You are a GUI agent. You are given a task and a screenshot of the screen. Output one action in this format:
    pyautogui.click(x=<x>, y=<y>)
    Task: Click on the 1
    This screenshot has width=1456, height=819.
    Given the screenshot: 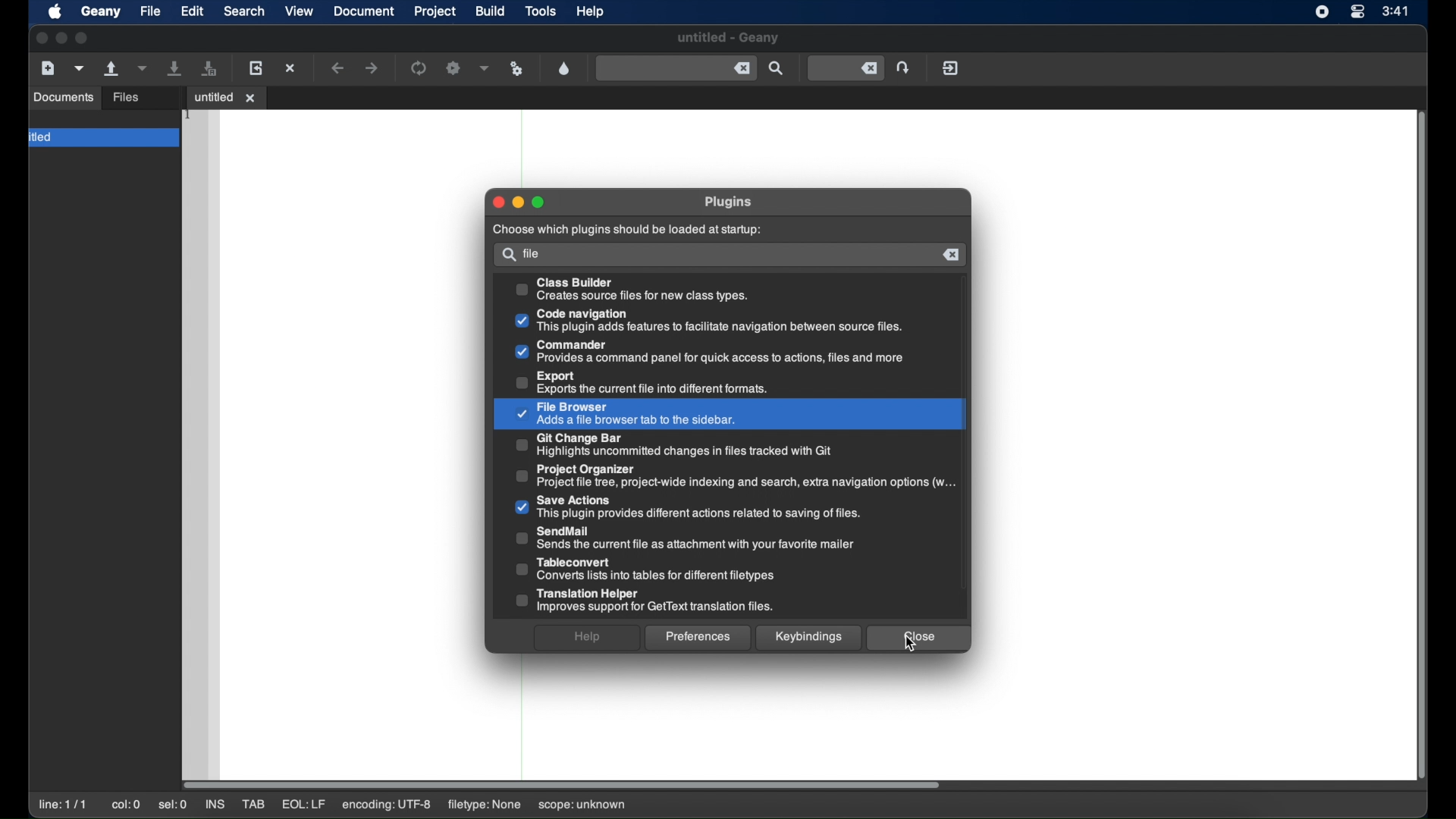 What is the action you would take?
    pyautogui.click(x=189, y=115)
    